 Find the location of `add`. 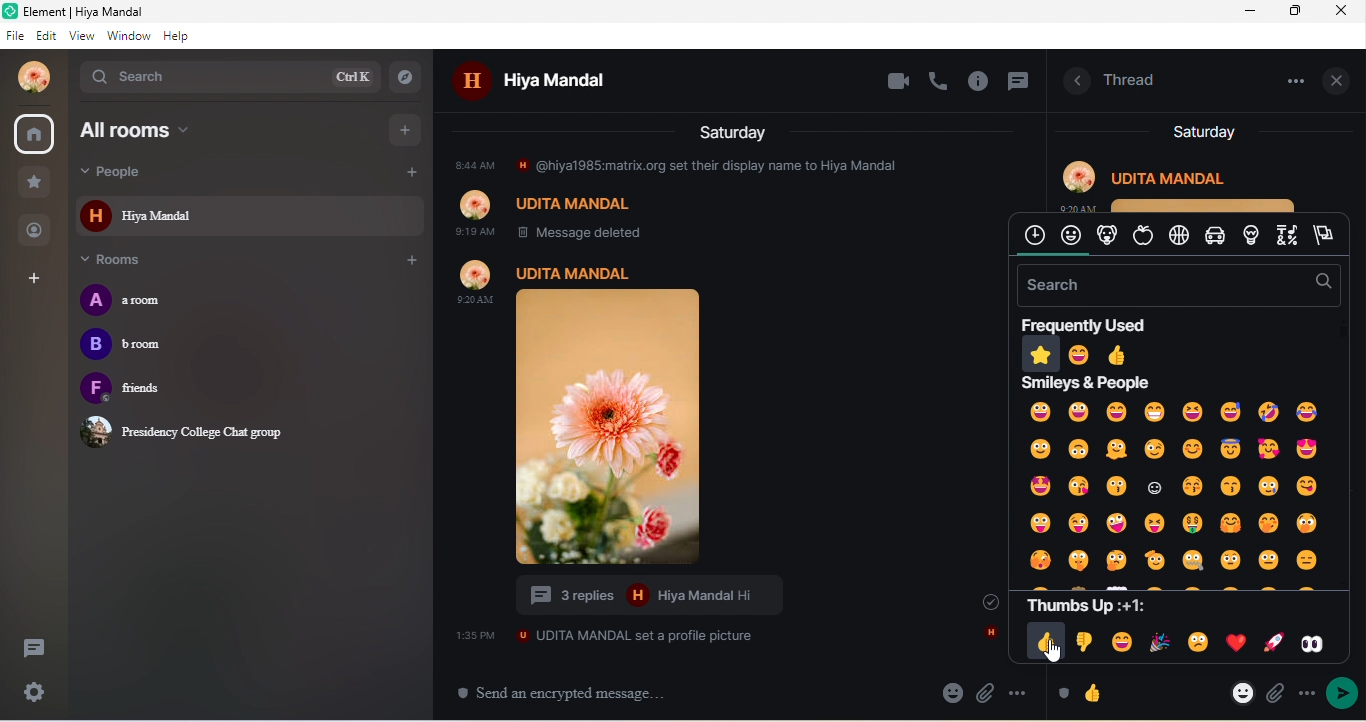

add is located at coordinates (407, 128).